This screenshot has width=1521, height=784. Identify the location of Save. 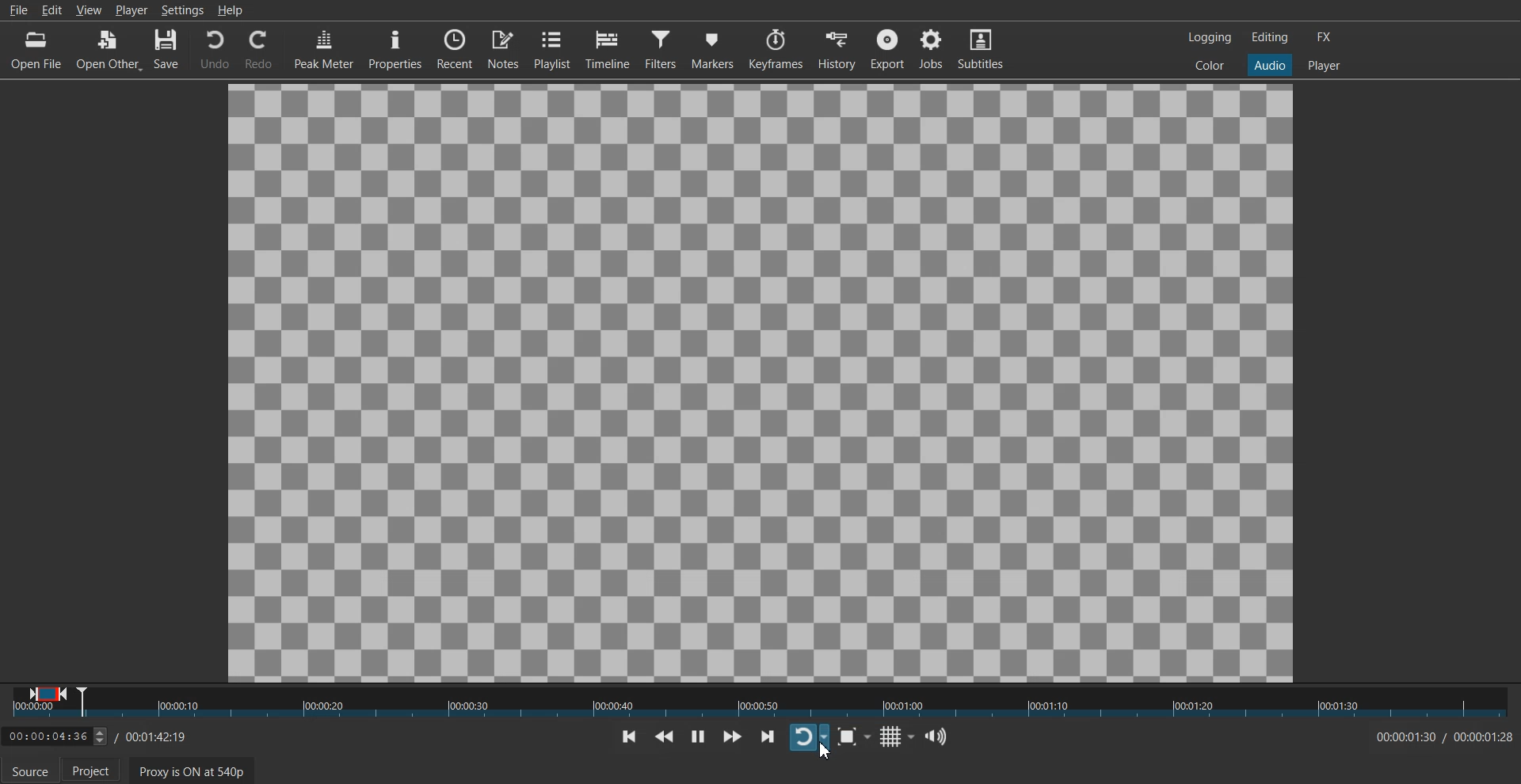
(169, 49).